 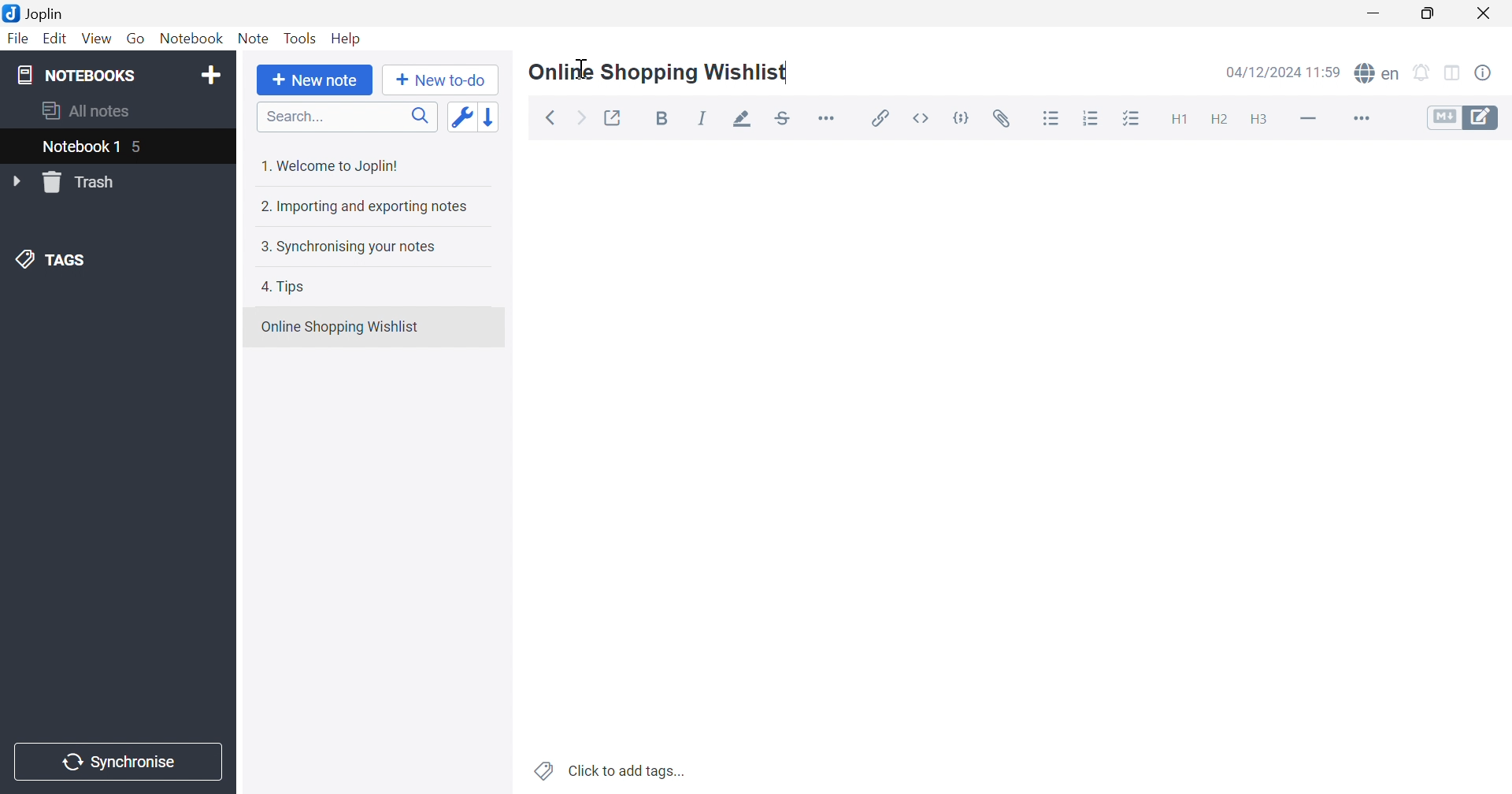 What do you see at coordinates (662, 118) in the screenshot?
I see `Bold` at bounding box center [662, 118].